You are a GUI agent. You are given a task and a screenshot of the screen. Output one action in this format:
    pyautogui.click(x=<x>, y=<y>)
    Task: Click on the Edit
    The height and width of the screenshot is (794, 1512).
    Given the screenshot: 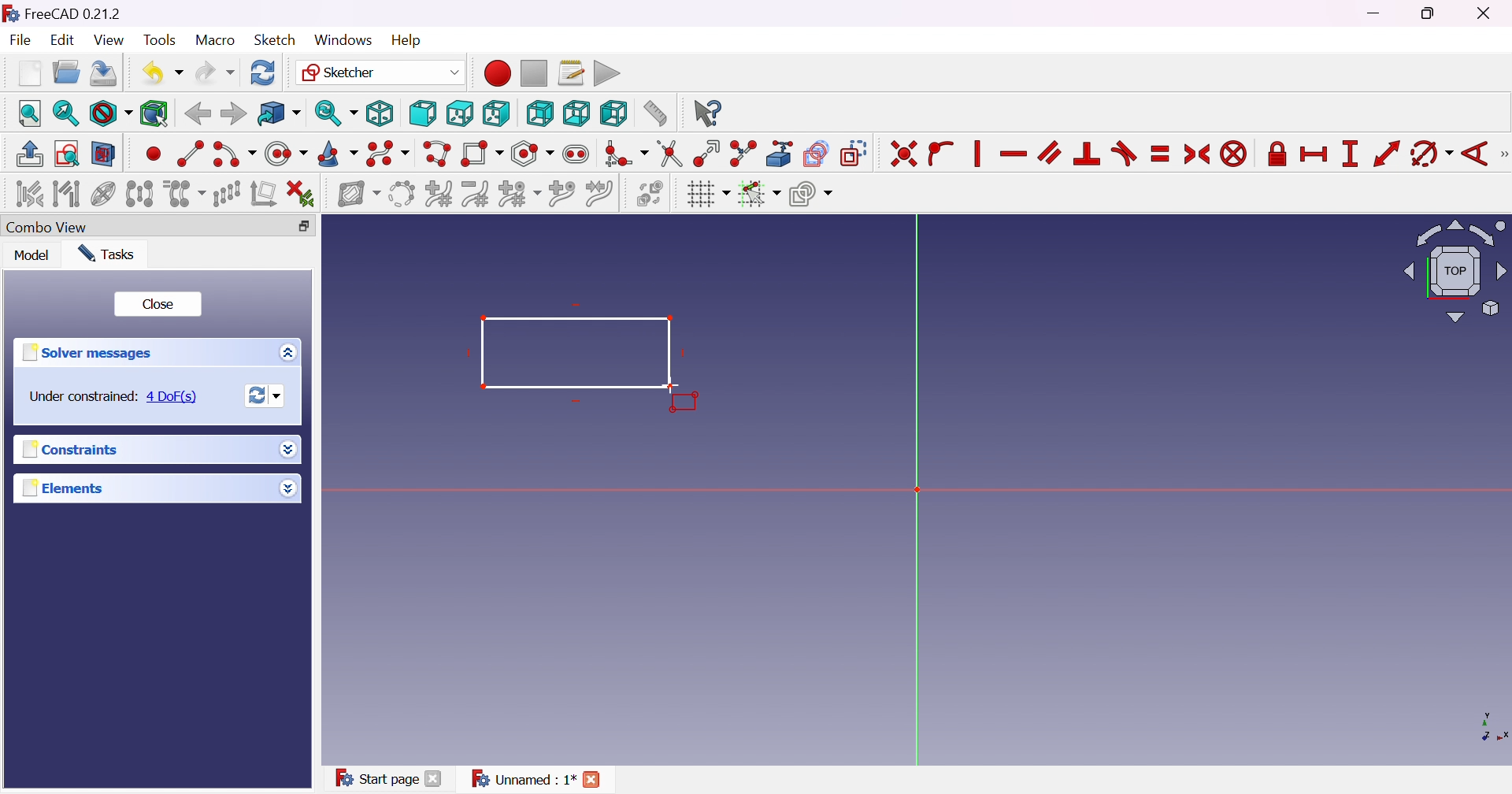 What is the action you would take?
    pyautogui.click(x=64, y=41)
    